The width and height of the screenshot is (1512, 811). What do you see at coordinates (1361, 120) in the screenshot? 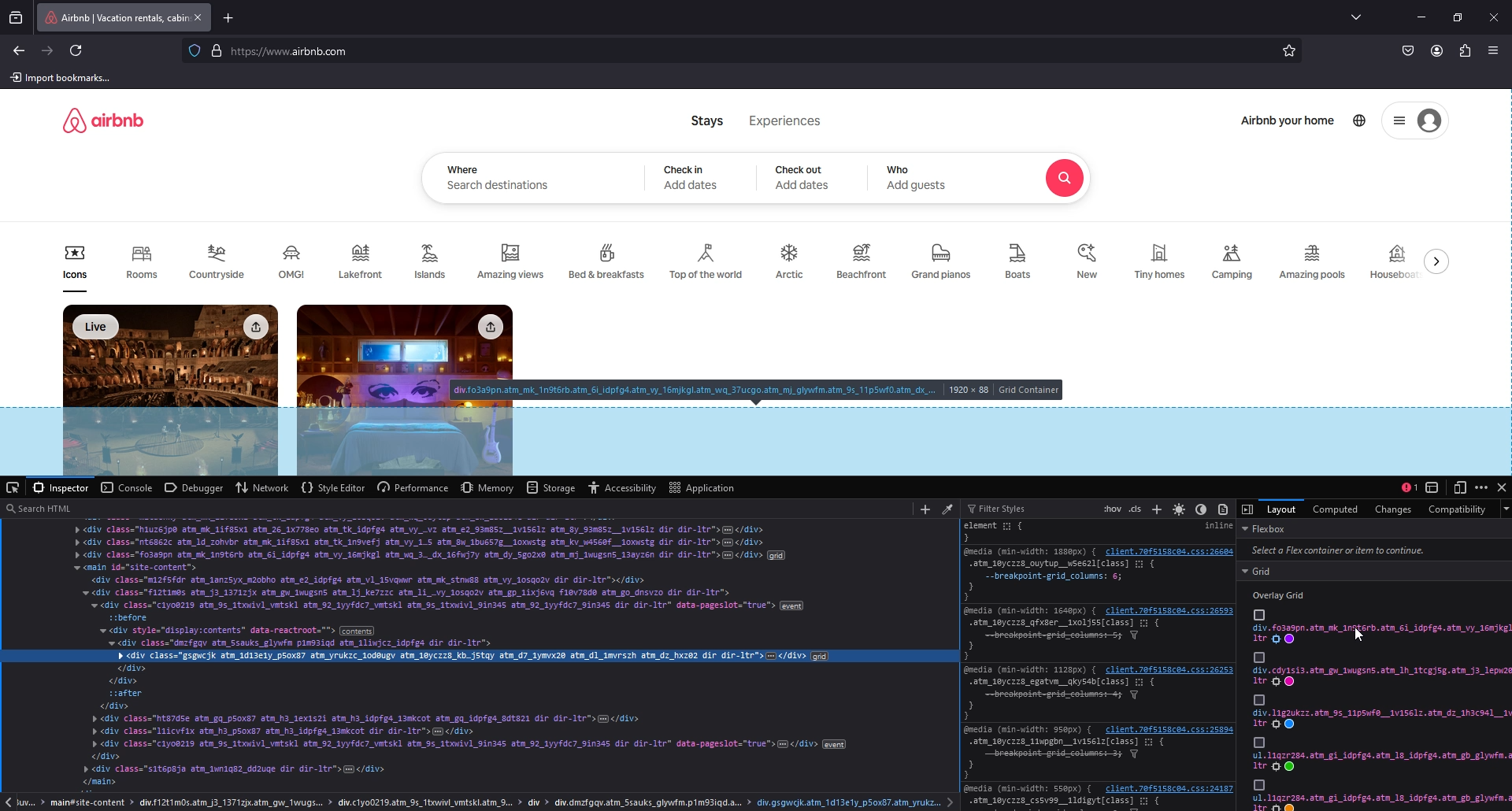
I see `world` at bounding box center [1361, 120].